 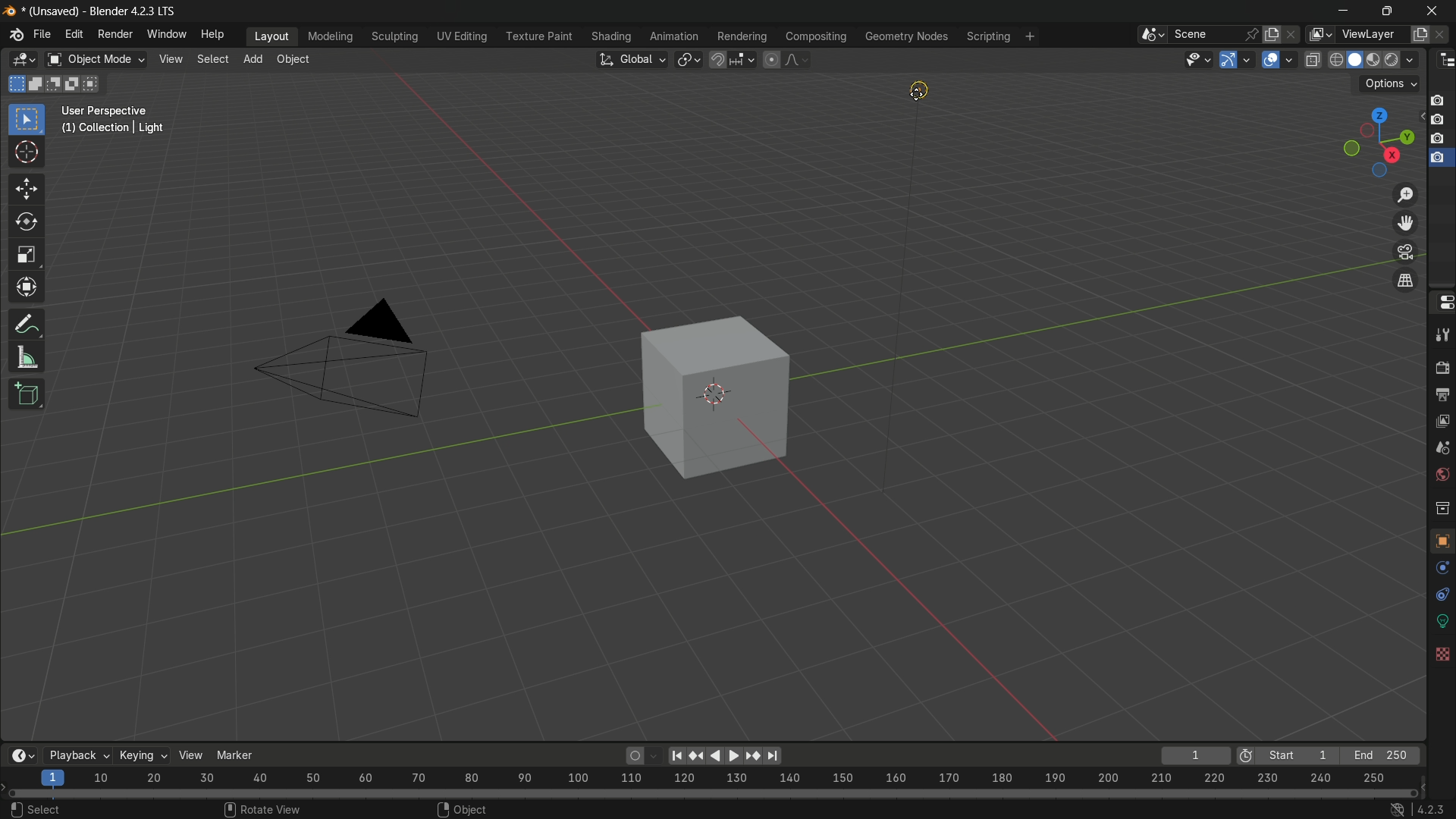 I want to click on transform, so click(x=28, y=289).